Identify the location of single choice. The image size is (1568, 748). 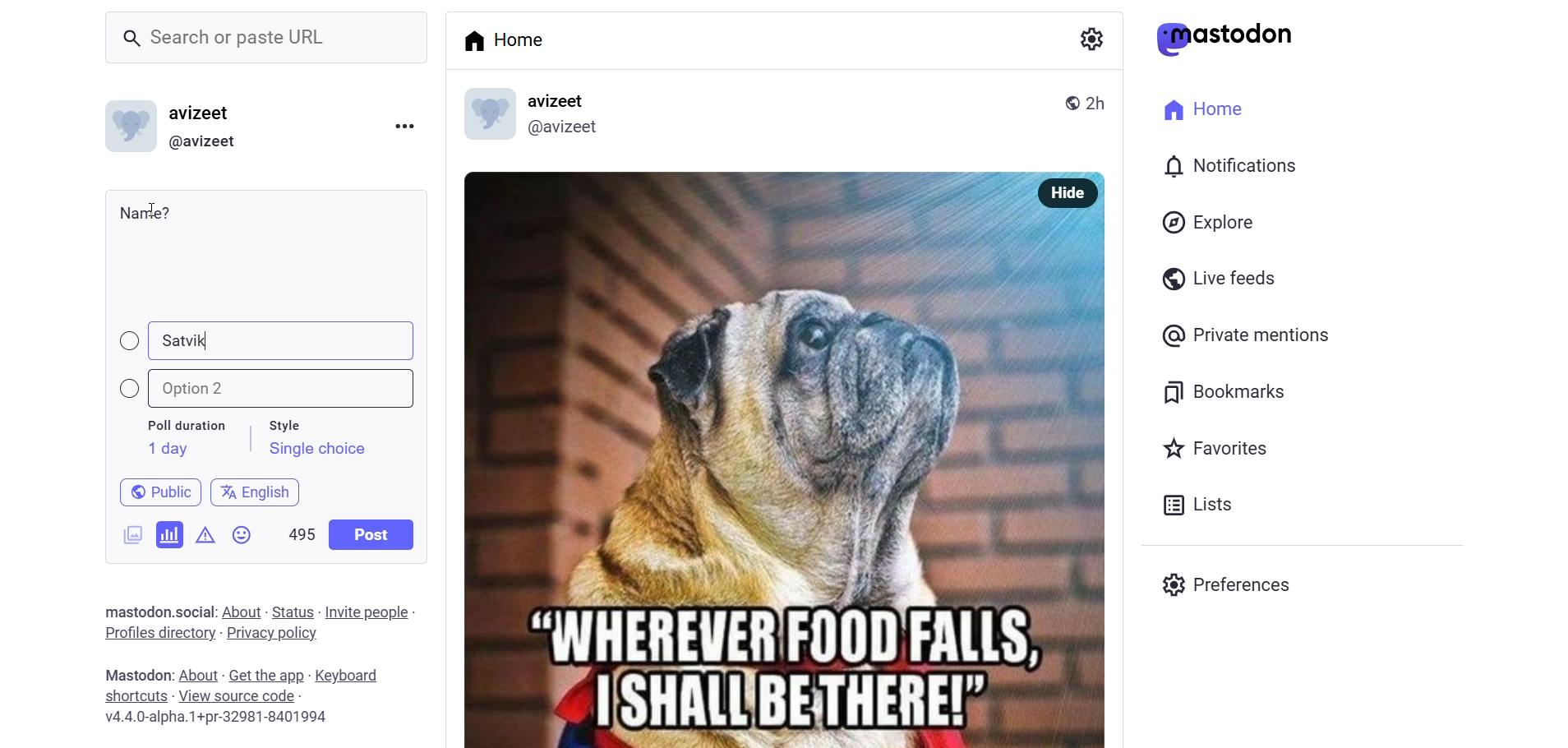
(316, 451).